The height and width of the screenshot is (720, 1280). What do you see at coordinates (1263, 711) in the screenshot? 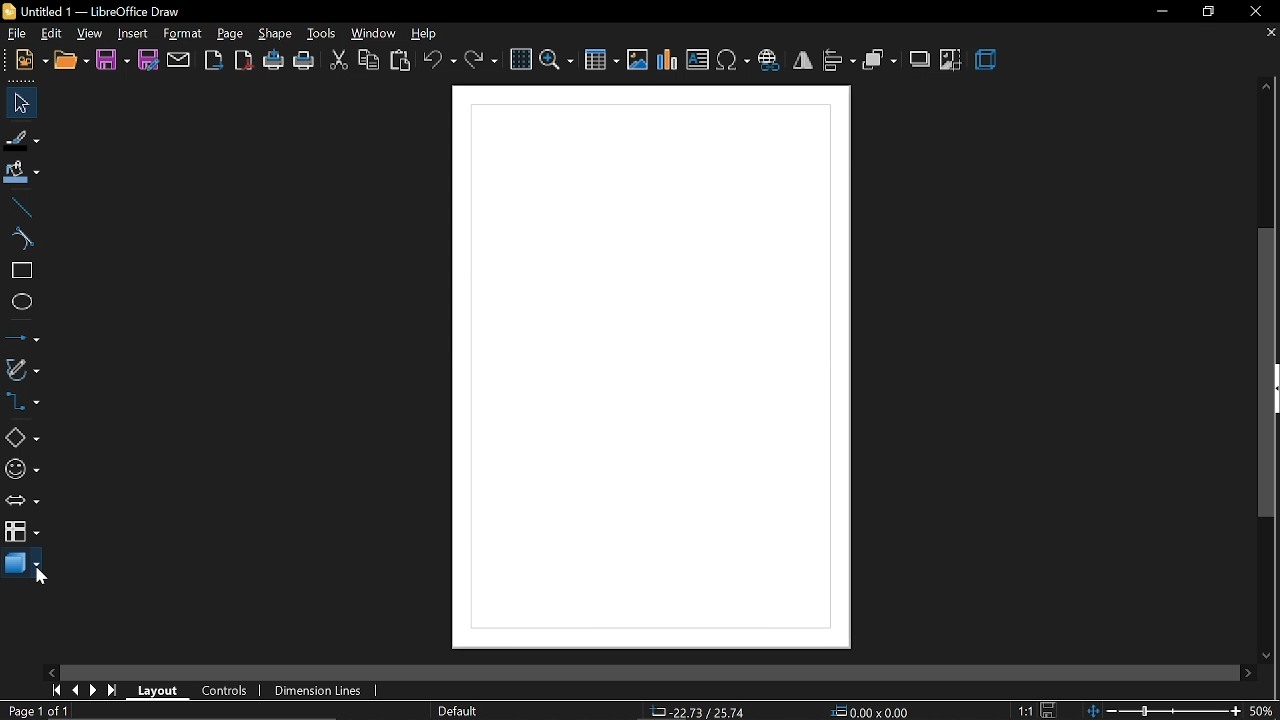
I see `current zoom` at bounding box center [1263, 711].